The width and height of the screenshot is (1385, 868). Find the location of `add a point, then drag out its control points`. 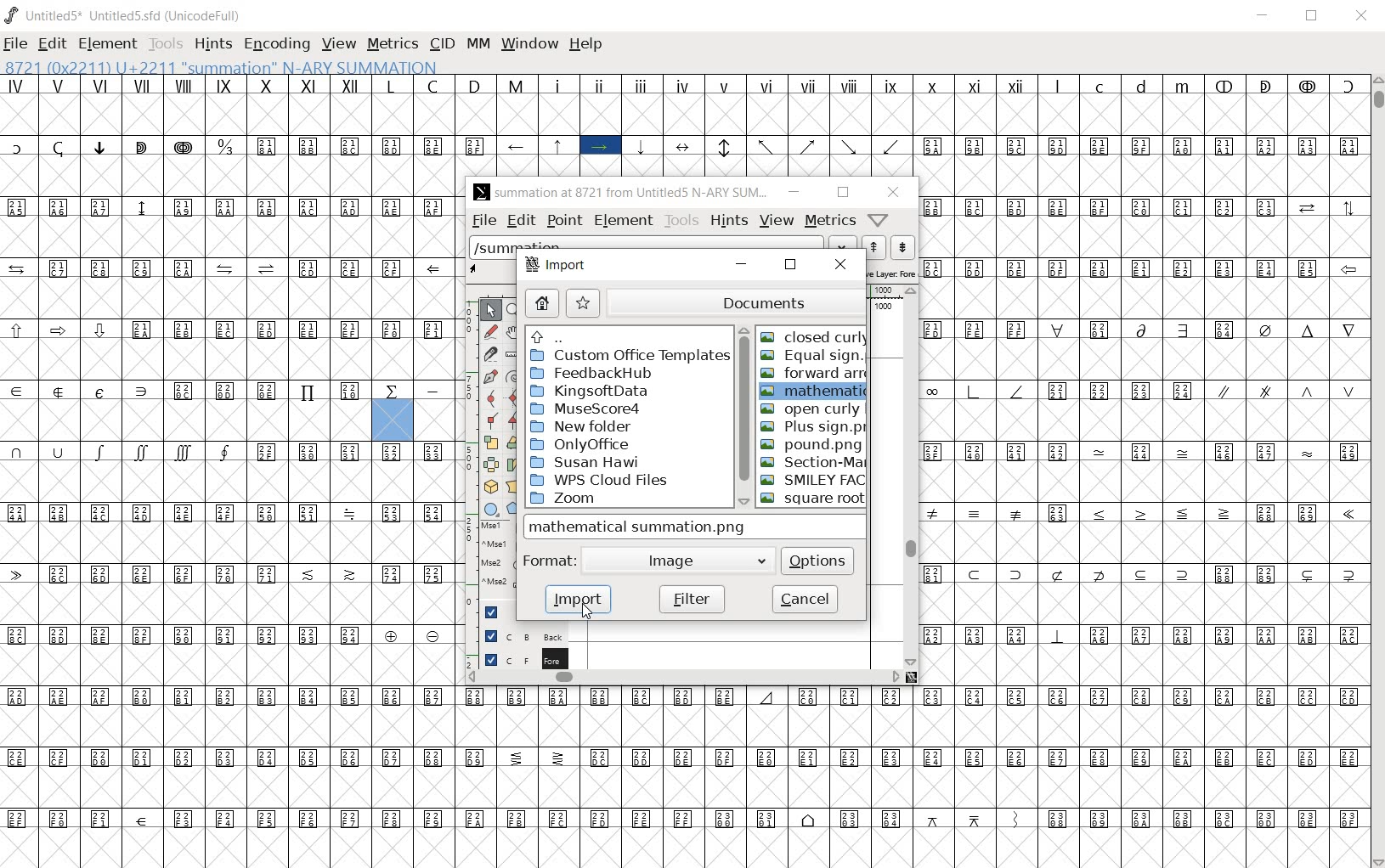

add a point, then drag out its control points is located at coordinates (490, 375).